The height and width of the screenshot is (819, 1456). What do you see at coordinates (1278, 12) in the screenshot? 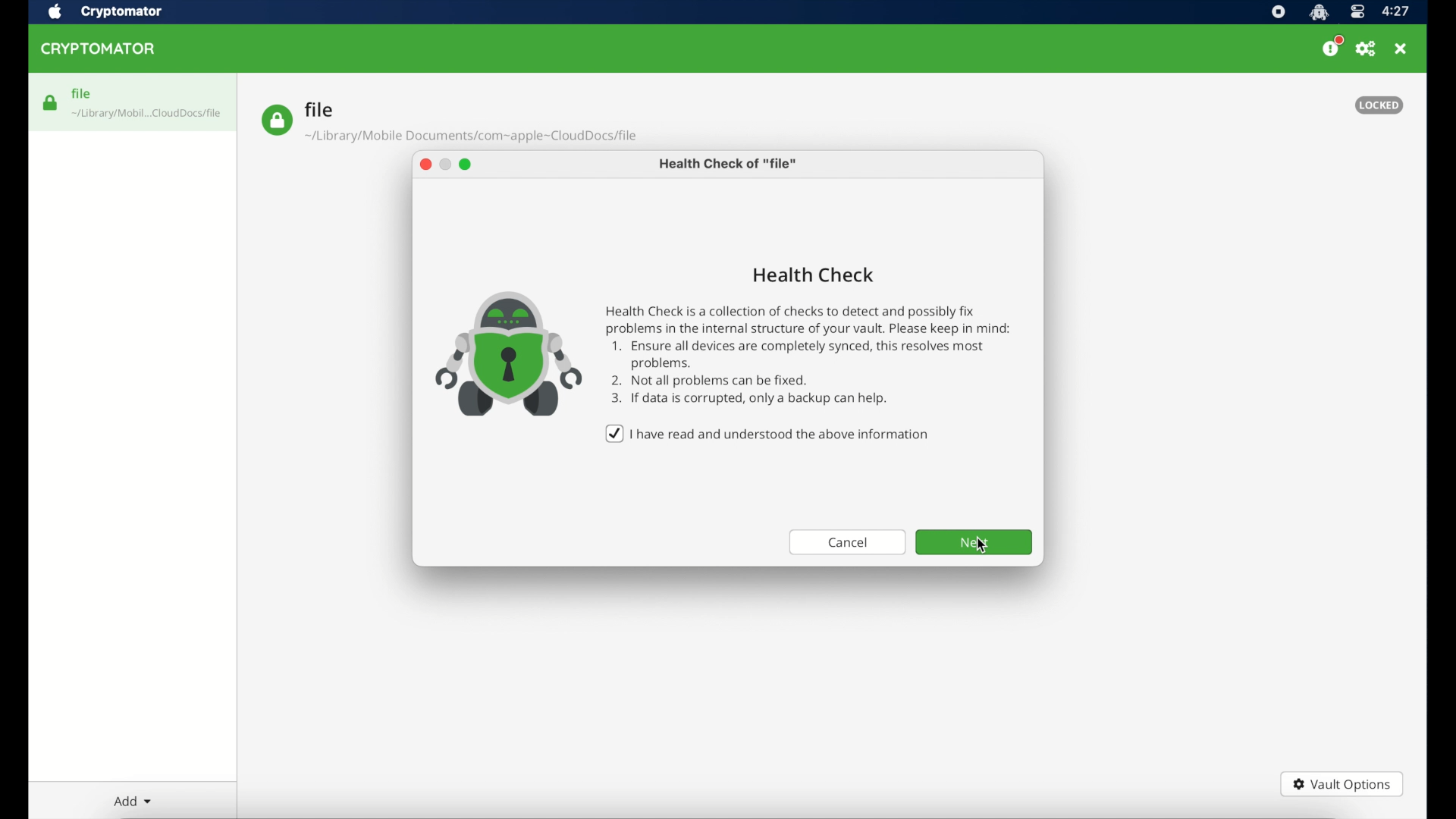
I see `screen recorder icon` at bounding box center [1278, 12].